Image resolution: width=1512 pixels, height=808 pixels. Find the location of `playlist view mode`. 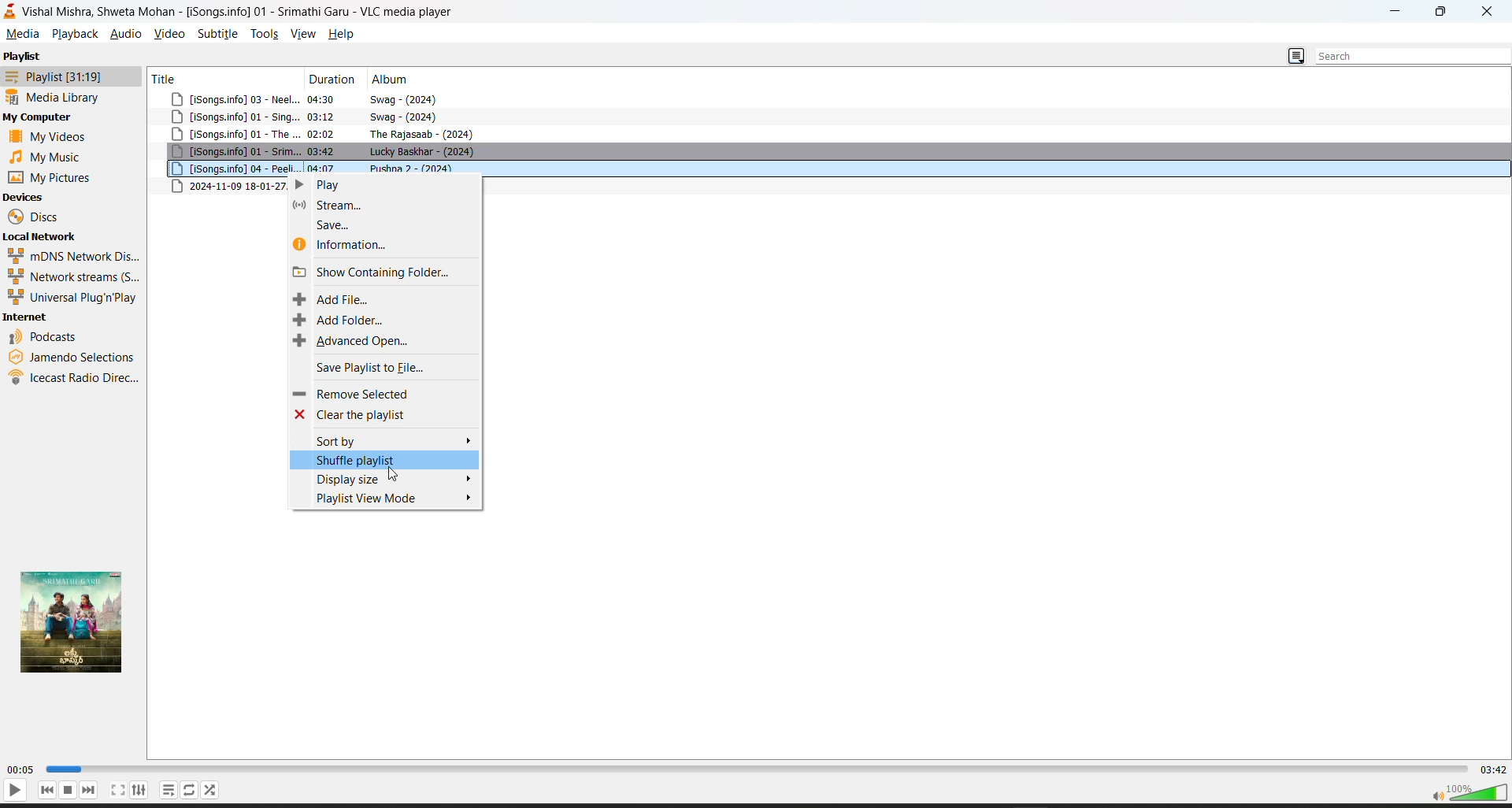

playlist view mode is located at coordinates (390, 499).